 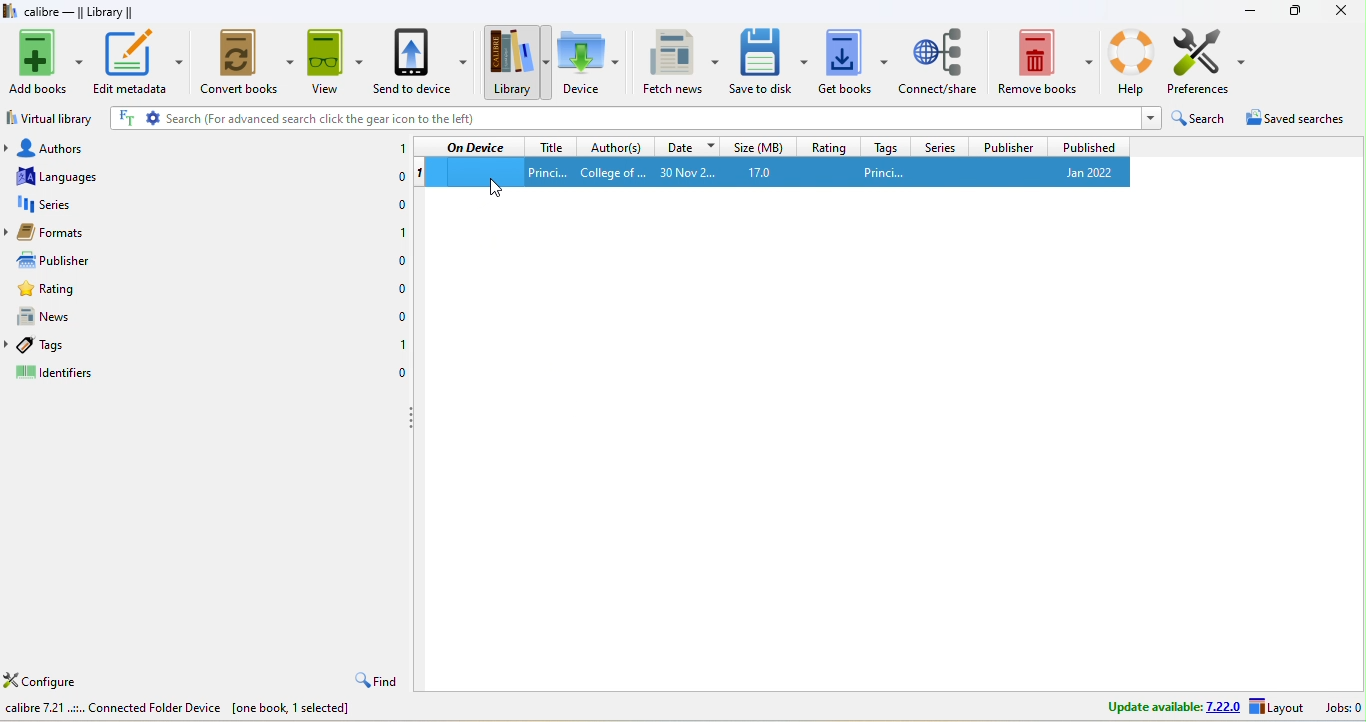 I want to click on resize, so click(x=1295, y=9).